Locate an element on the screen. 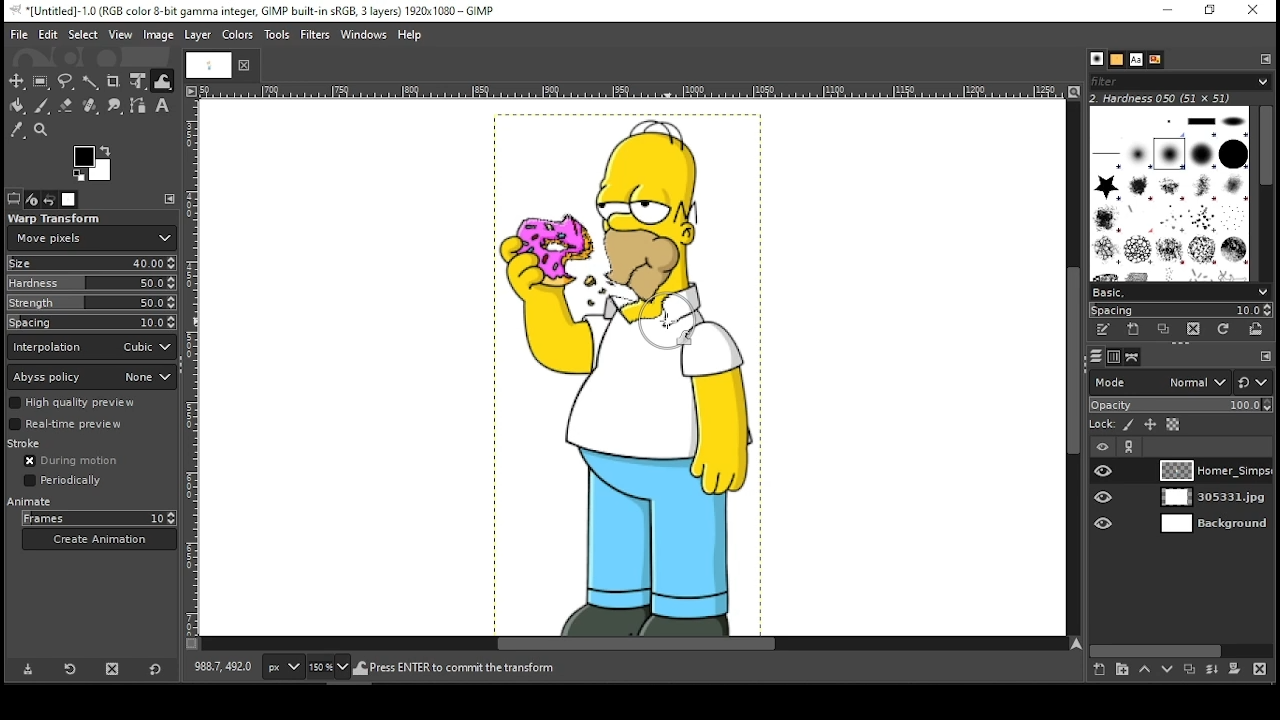 The width and height of the screenshot is (1280, 720). warp transform is located at coordinates (56, 218).